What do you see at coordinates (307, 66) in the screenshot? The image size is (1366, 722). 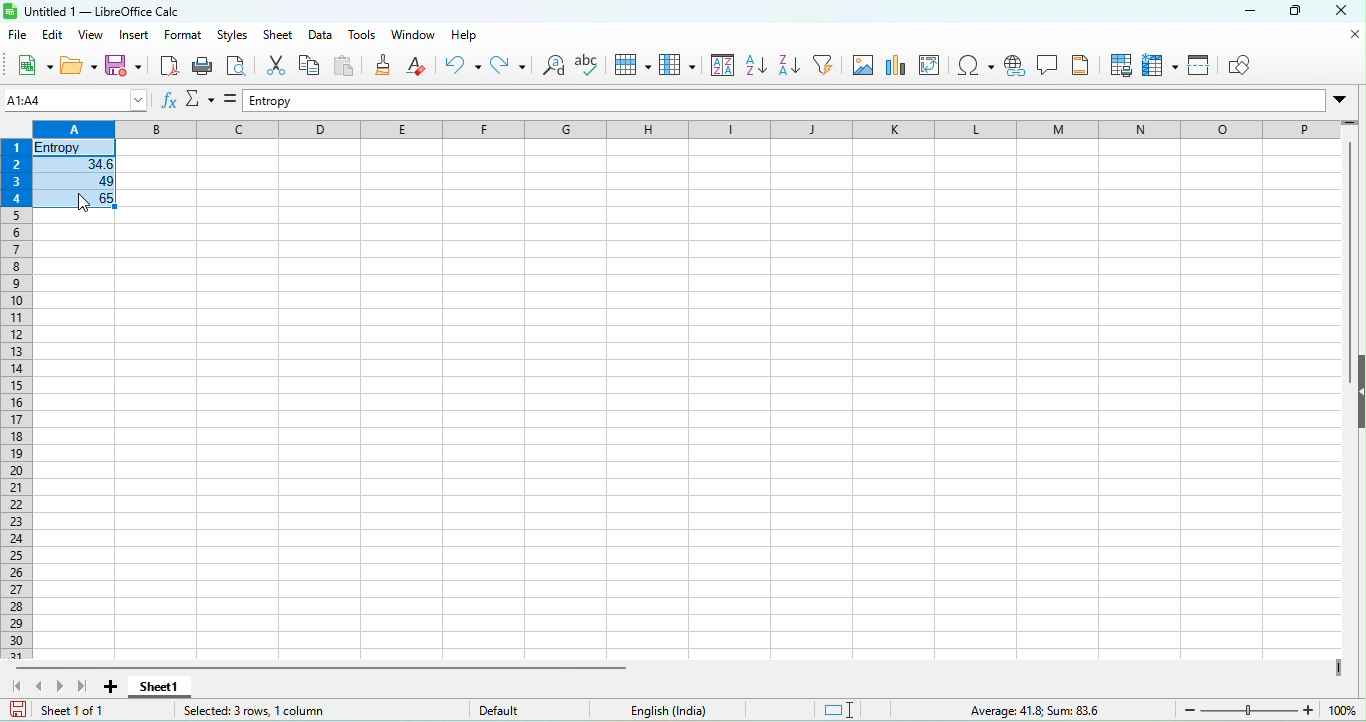 I see `copy` at bounding box center [307, 66].